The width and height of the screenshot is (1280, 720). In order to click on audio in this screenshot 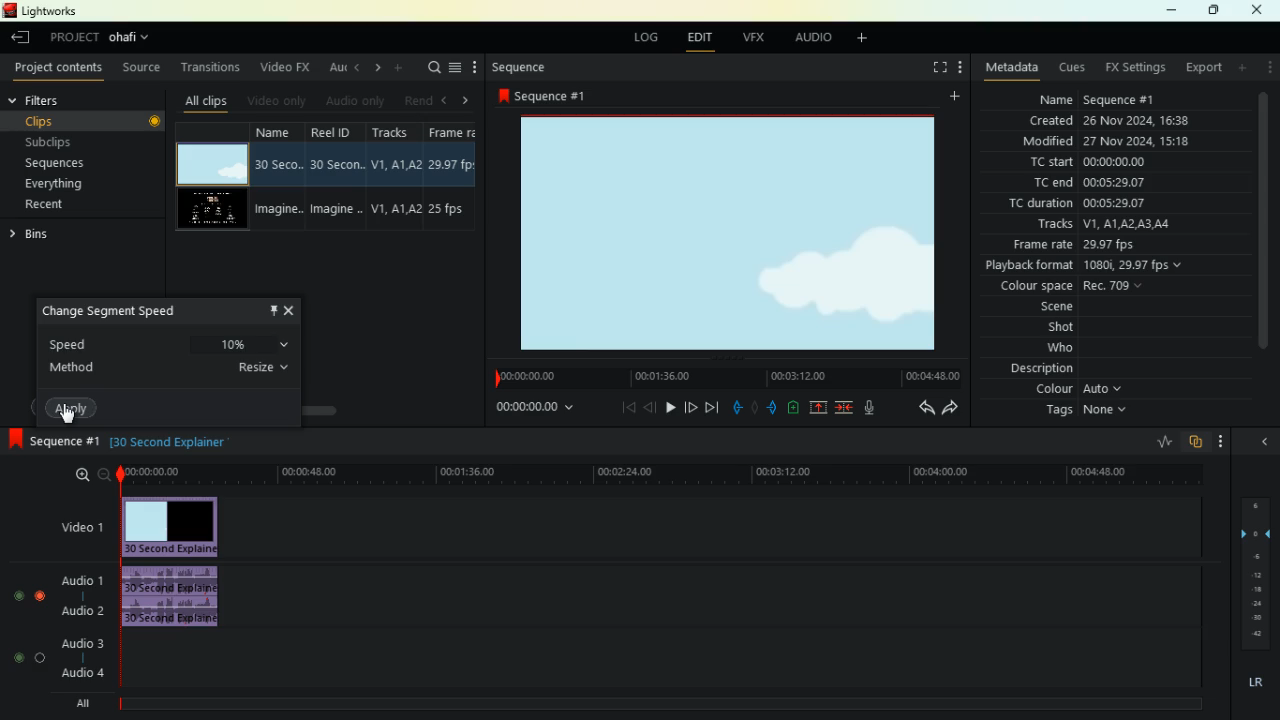, I will do `click(815, 40)`.